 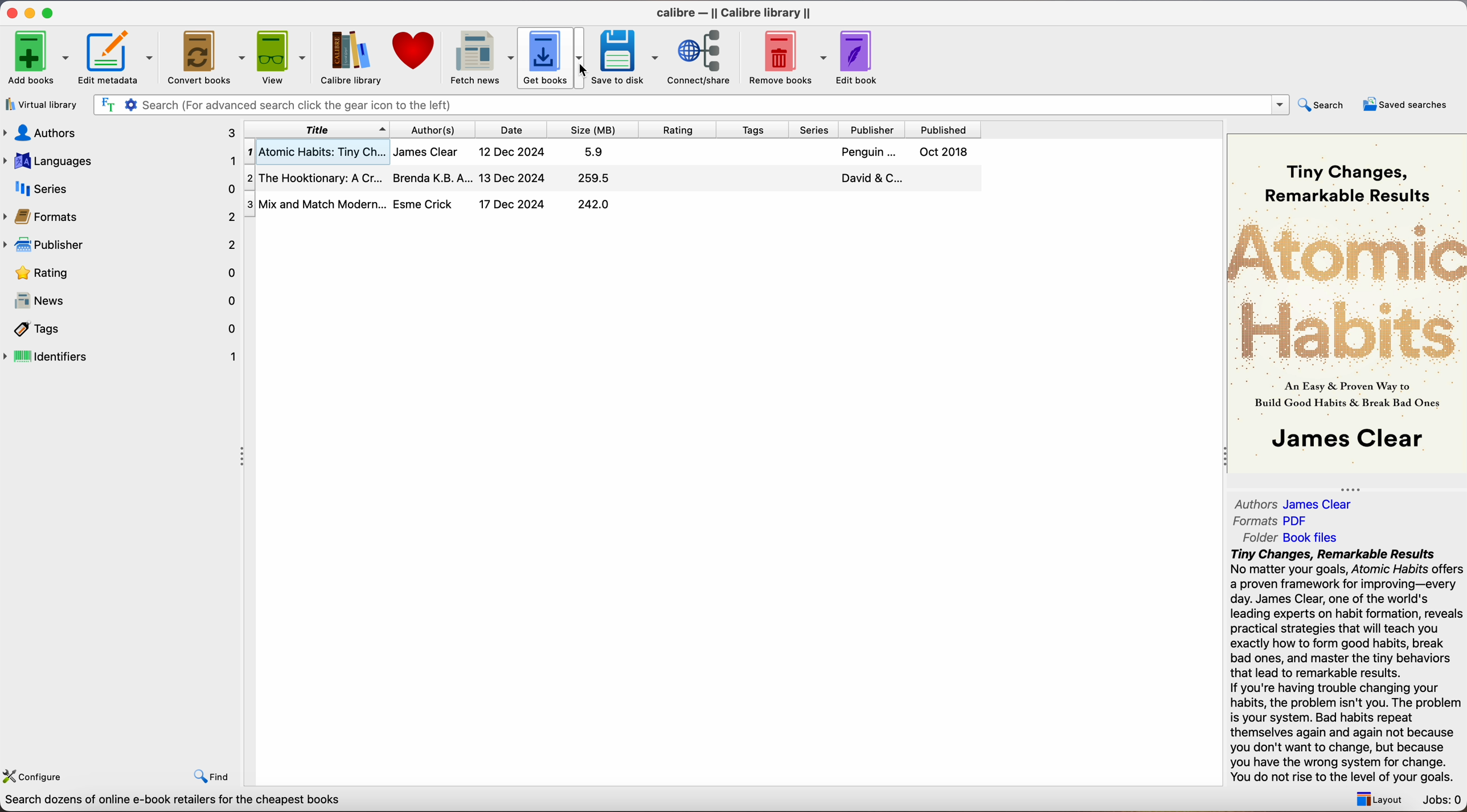 What do you see at coordinates (595, 130) in the screenshot?
I see `size` at bounding box center [595, 130].